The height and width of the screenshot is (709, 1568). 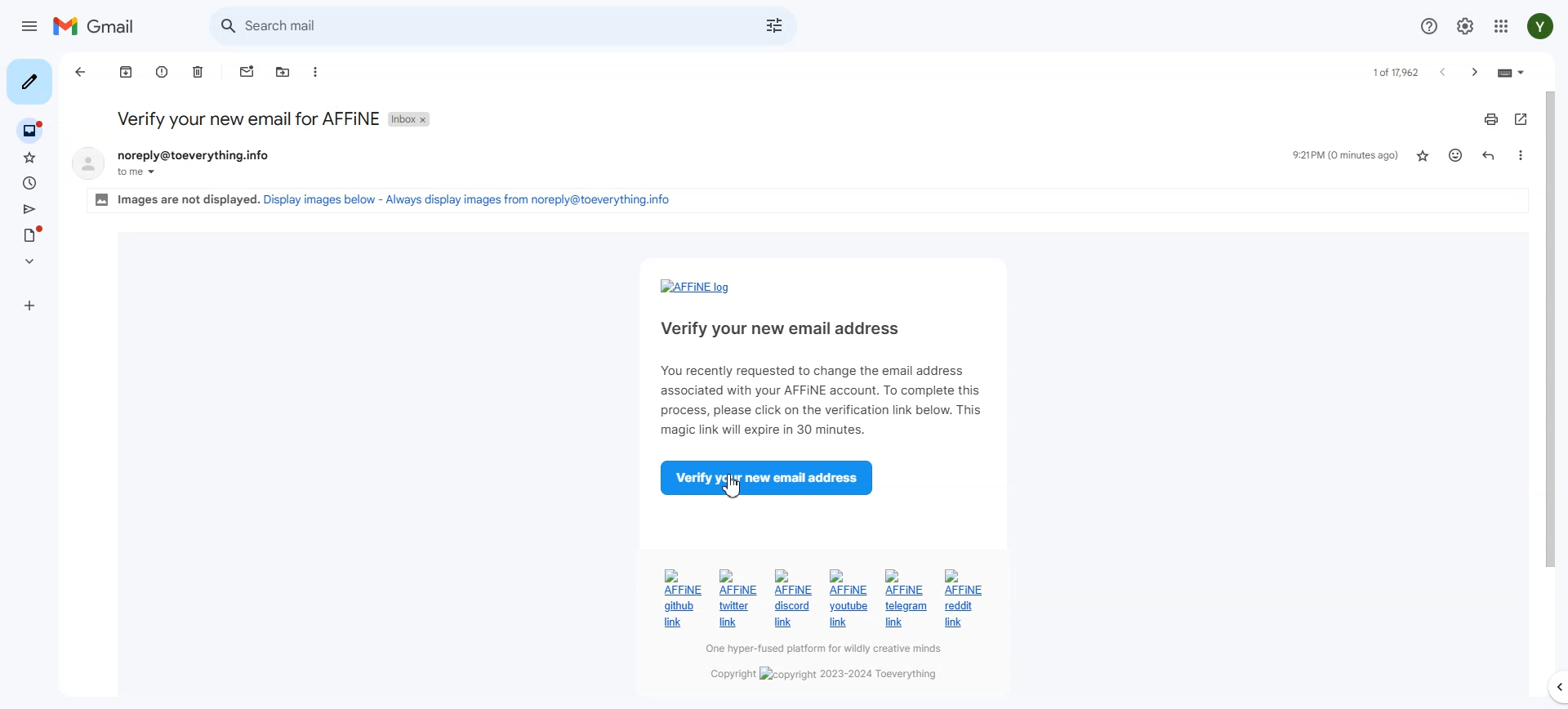 I want to click on AFFiNE youtube Hyperlink, so click(x=848, y=597).